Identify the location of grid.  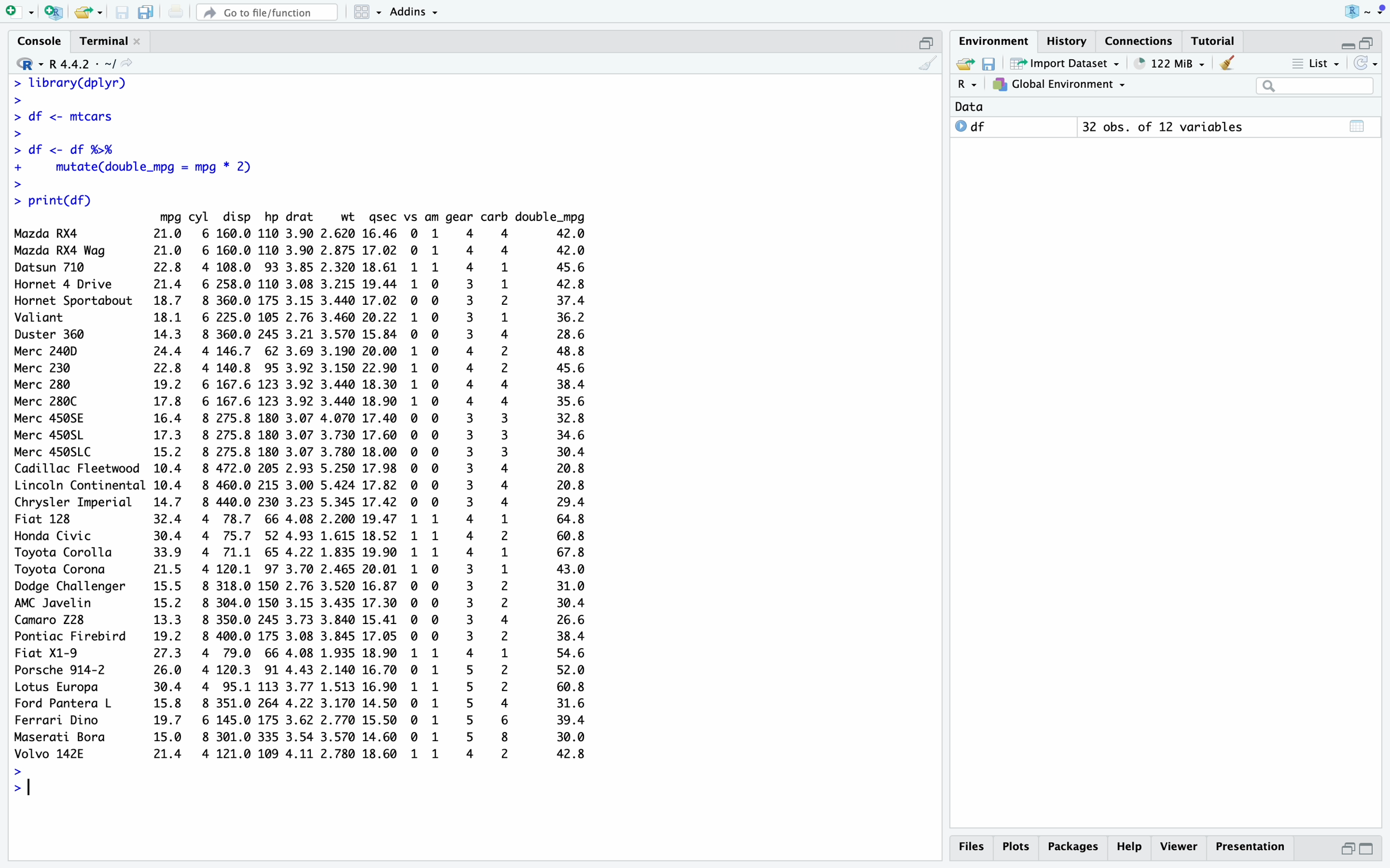
(369, 13).